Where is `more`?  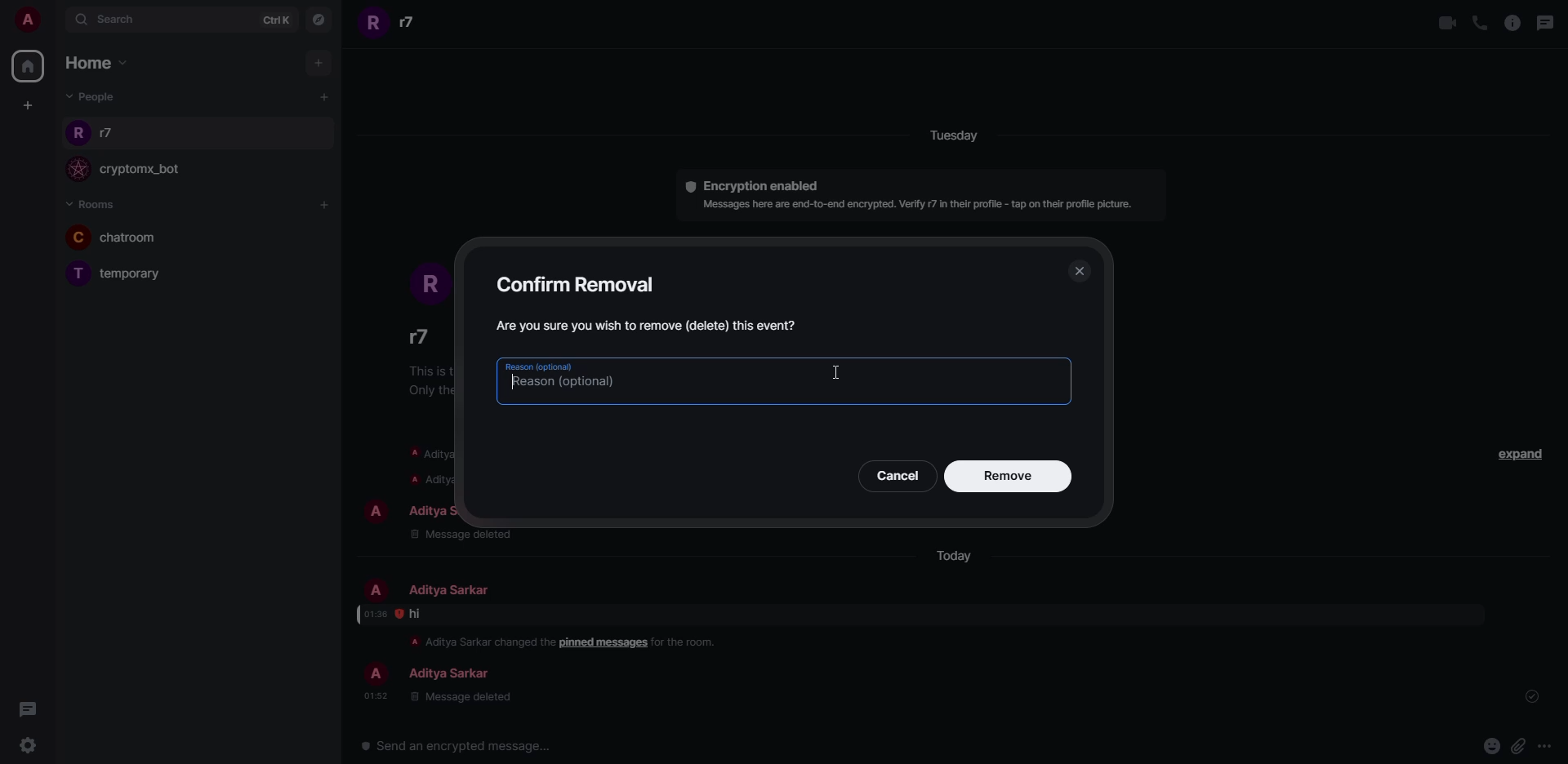
more is located at coordinates (1544, 747).